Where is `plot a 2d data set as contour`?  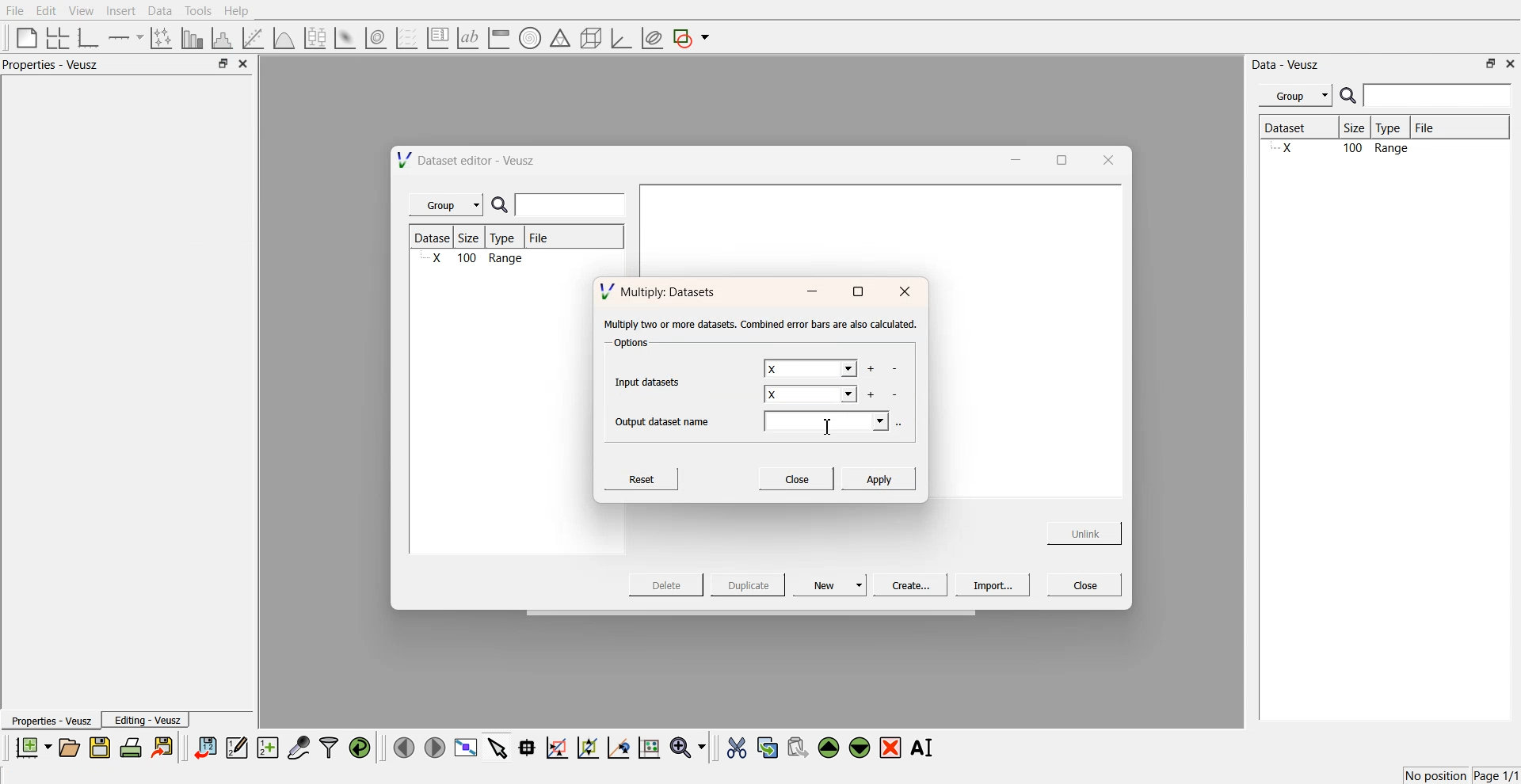 plot a 2d data set as contour is located at coordinates (375, 39).